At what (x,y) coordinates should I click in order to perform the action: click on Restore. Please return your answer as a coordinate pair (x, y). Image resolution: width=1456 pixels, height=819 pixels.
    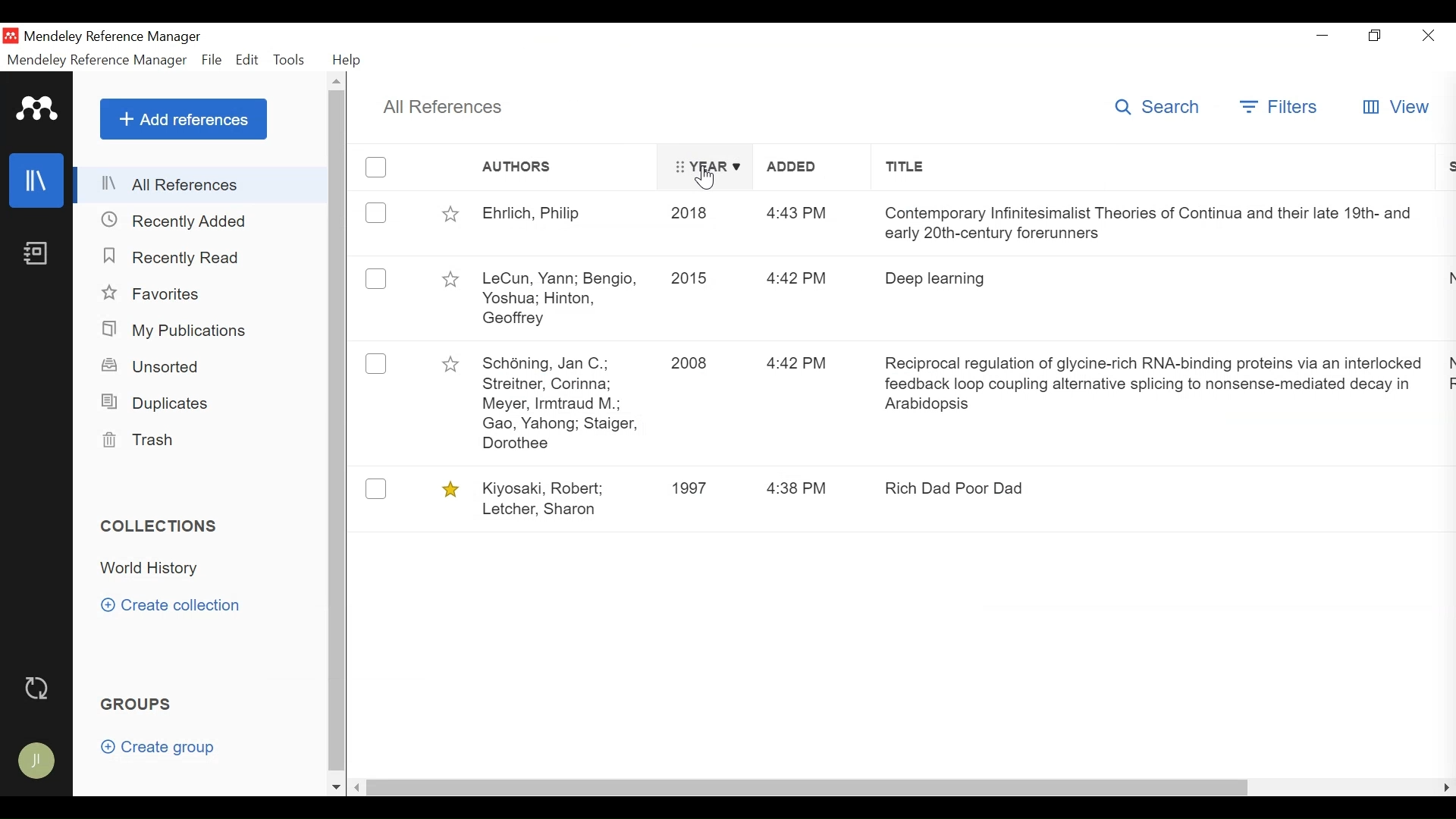
    Looking at the image, I should click on (1376, 35).